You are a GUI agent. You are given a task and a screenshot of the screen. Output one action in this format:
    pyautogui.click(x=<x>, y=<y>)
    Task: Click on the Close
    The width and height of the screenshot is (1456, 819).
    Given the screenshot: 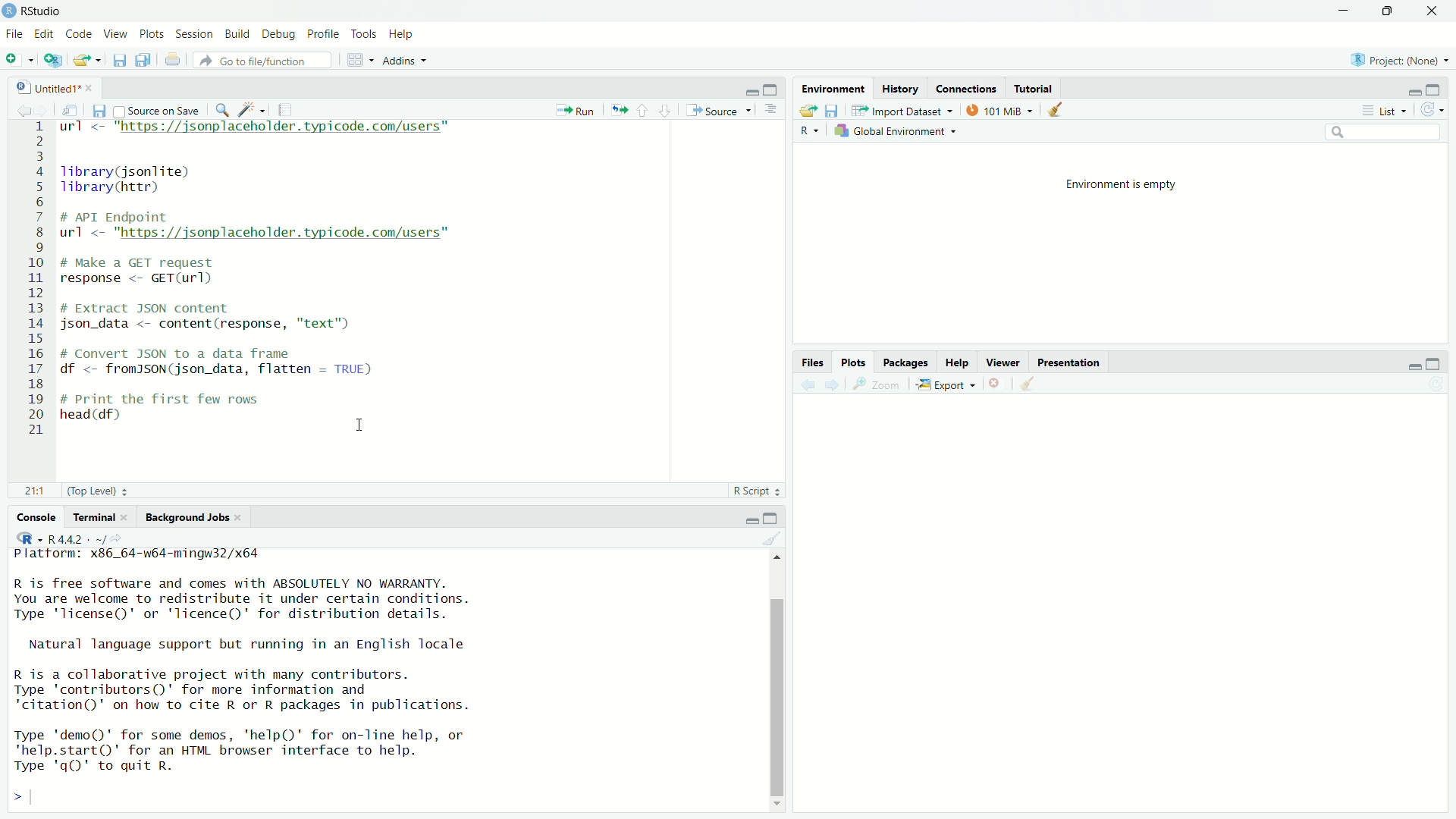 What is the action you would take?
    pyautogui.click(x=1434, y=11)
    